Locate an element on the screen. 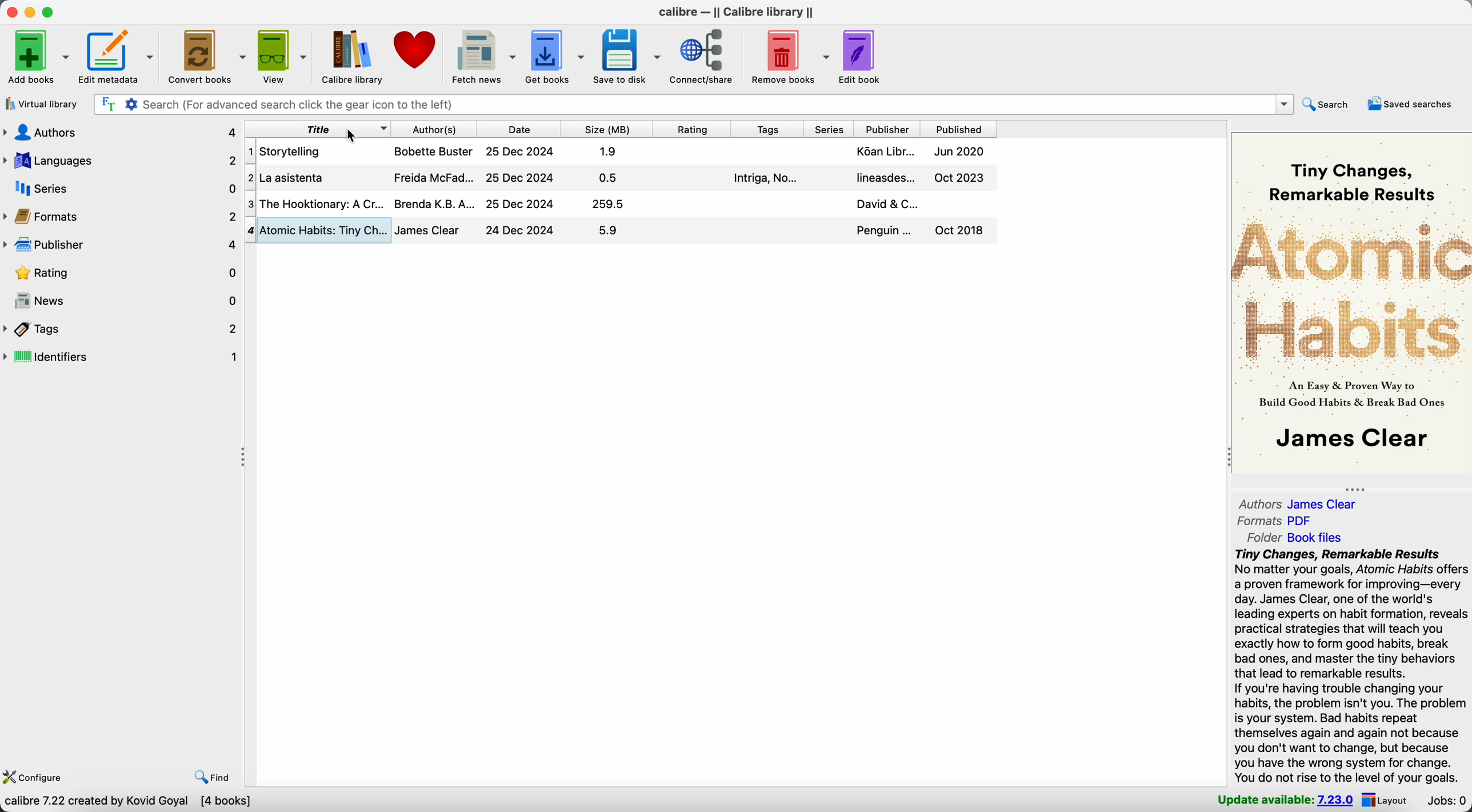 The image size is (1472, 812). la asistenta is located at coordinates (295, 178).